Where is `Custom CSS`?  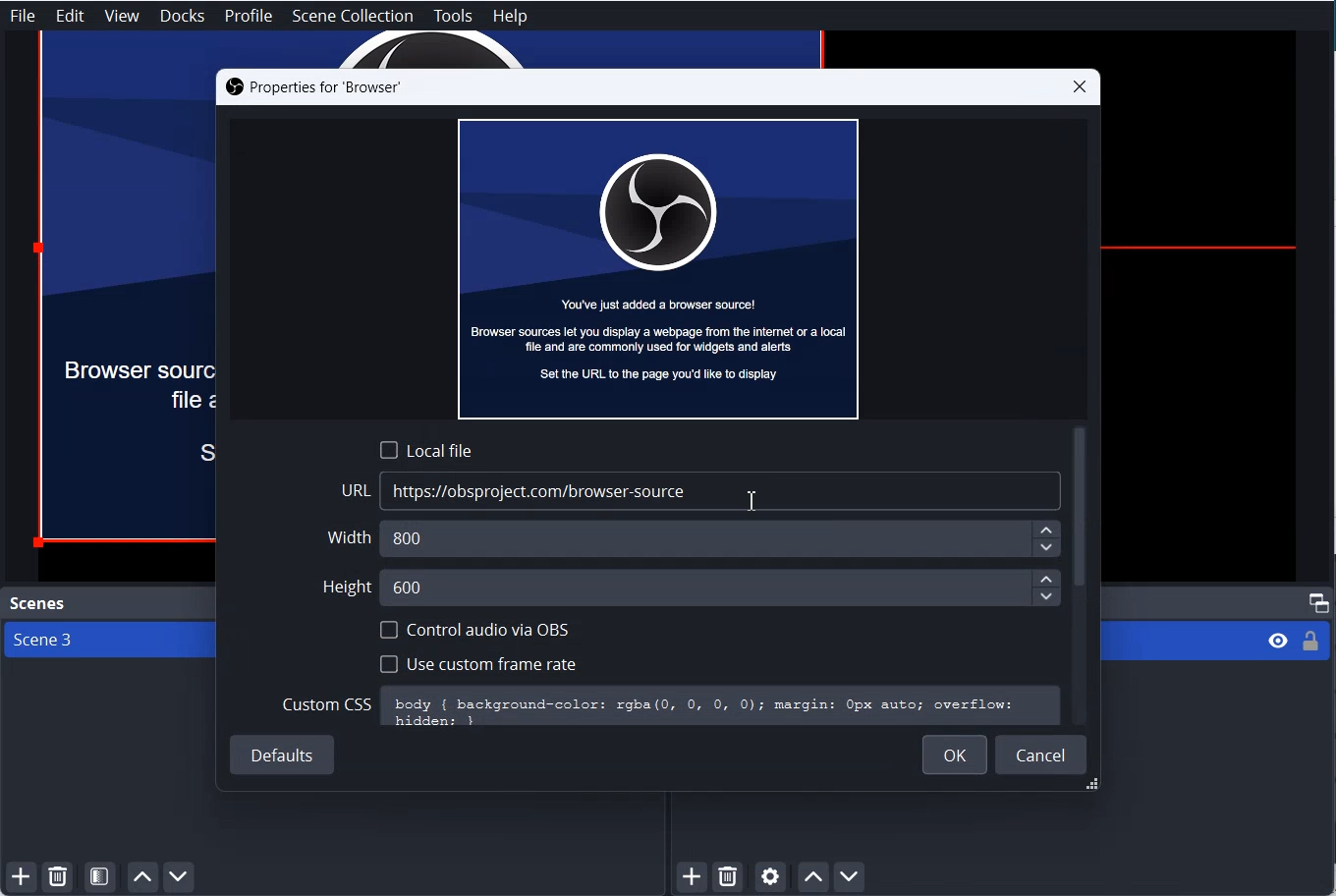
Custom CSS is located at coordinates (670, 706).